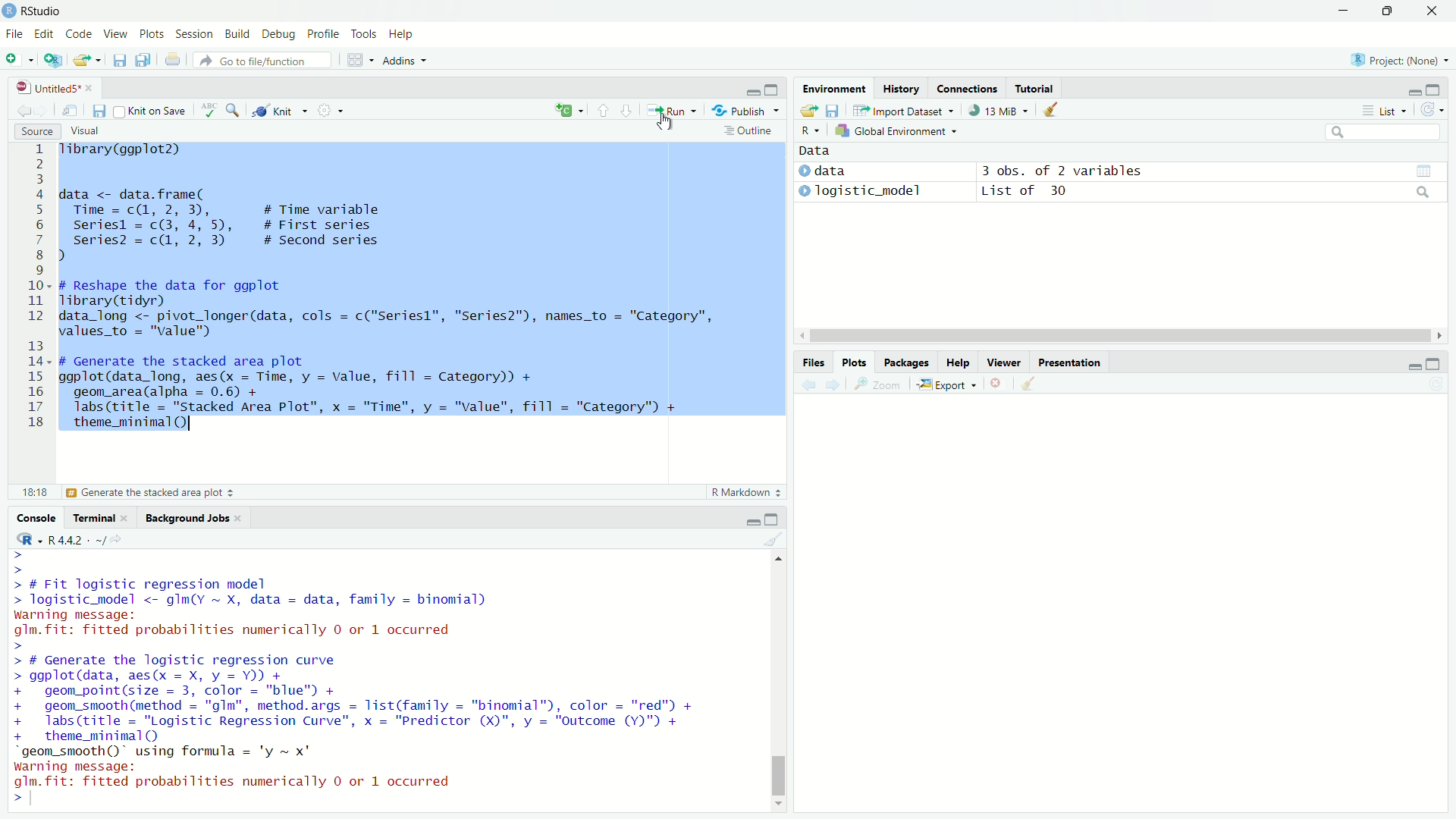 This screenshot has width=1456, height=819. Describe the element at coordinates (675, 110) in the screenshot. I see `Run ` at that location.